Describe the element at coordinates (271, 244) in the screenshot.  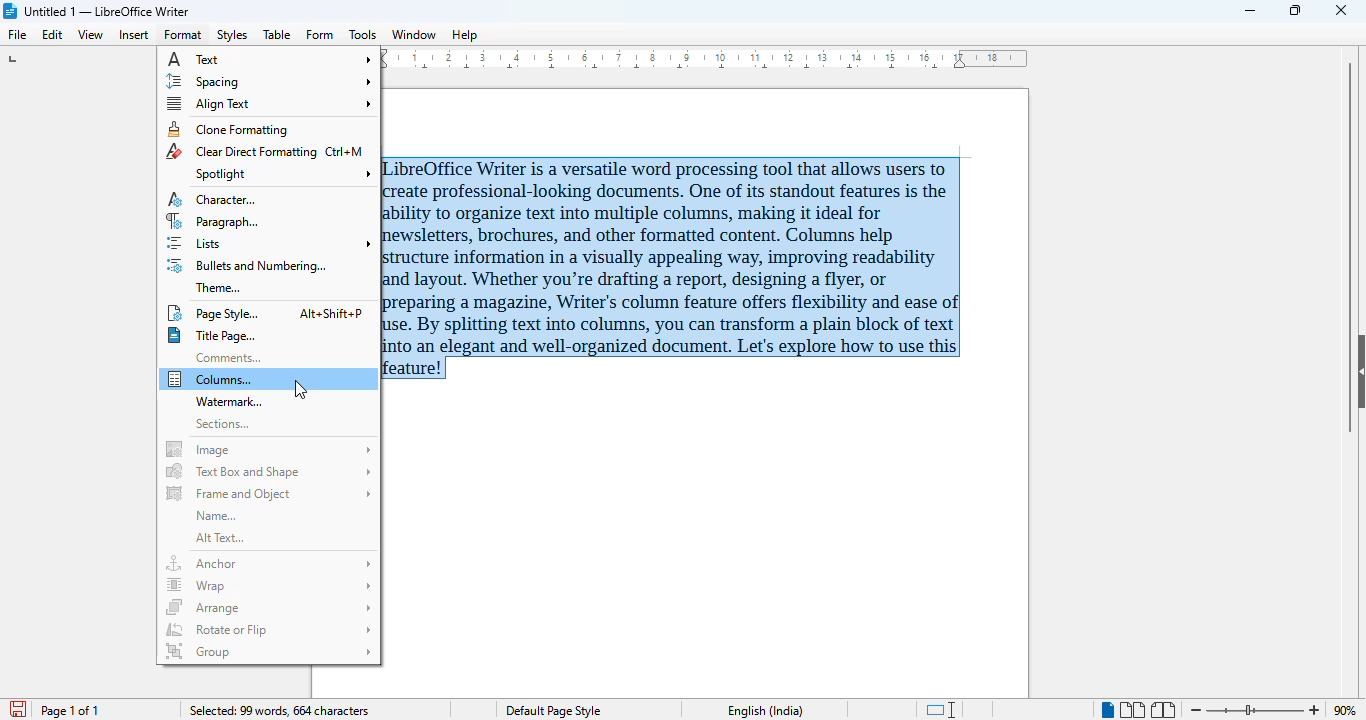
I see `lists` at that location.